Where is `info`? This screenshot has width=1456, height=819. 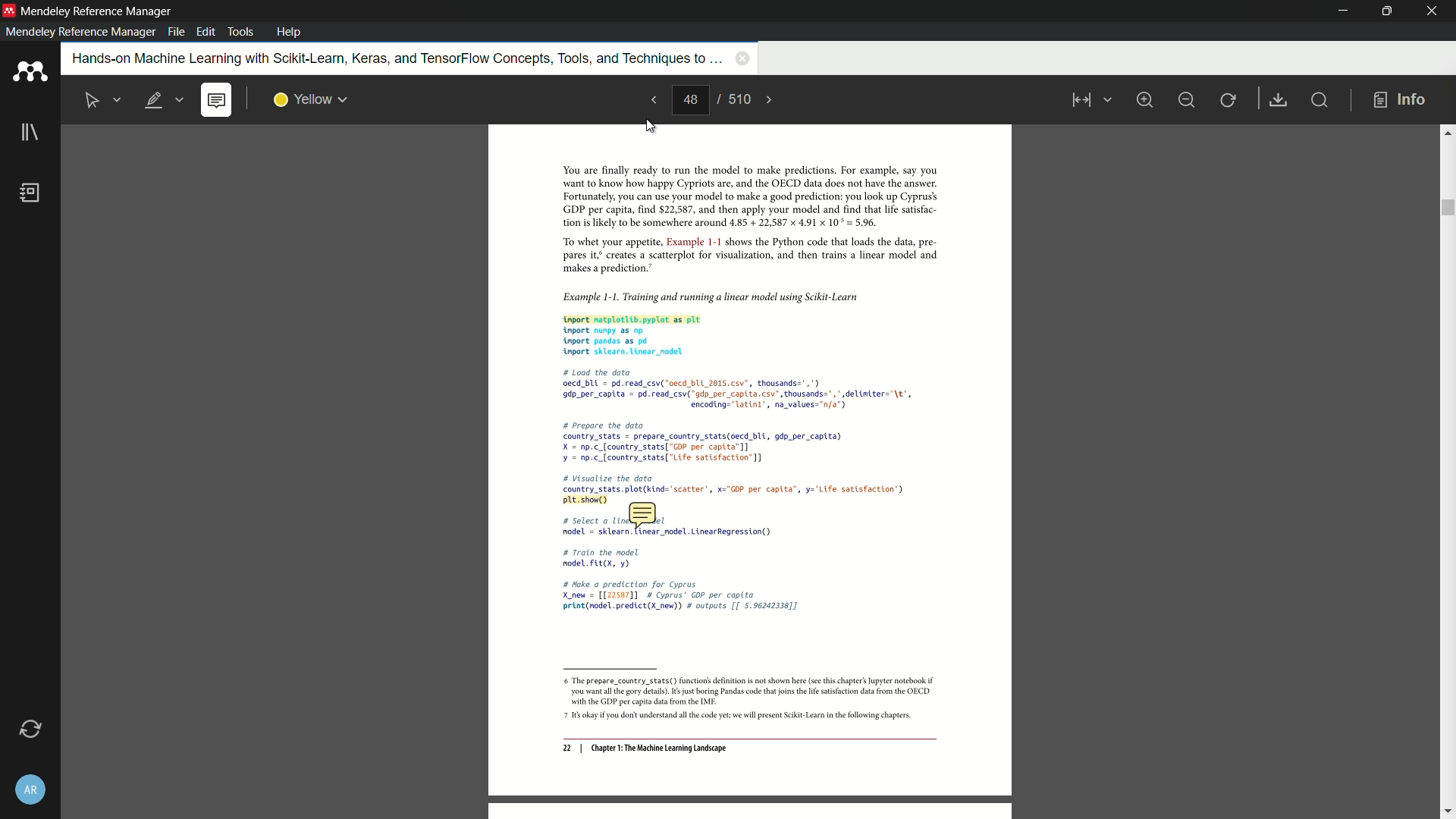
info is located at coordinates (1400, 101).